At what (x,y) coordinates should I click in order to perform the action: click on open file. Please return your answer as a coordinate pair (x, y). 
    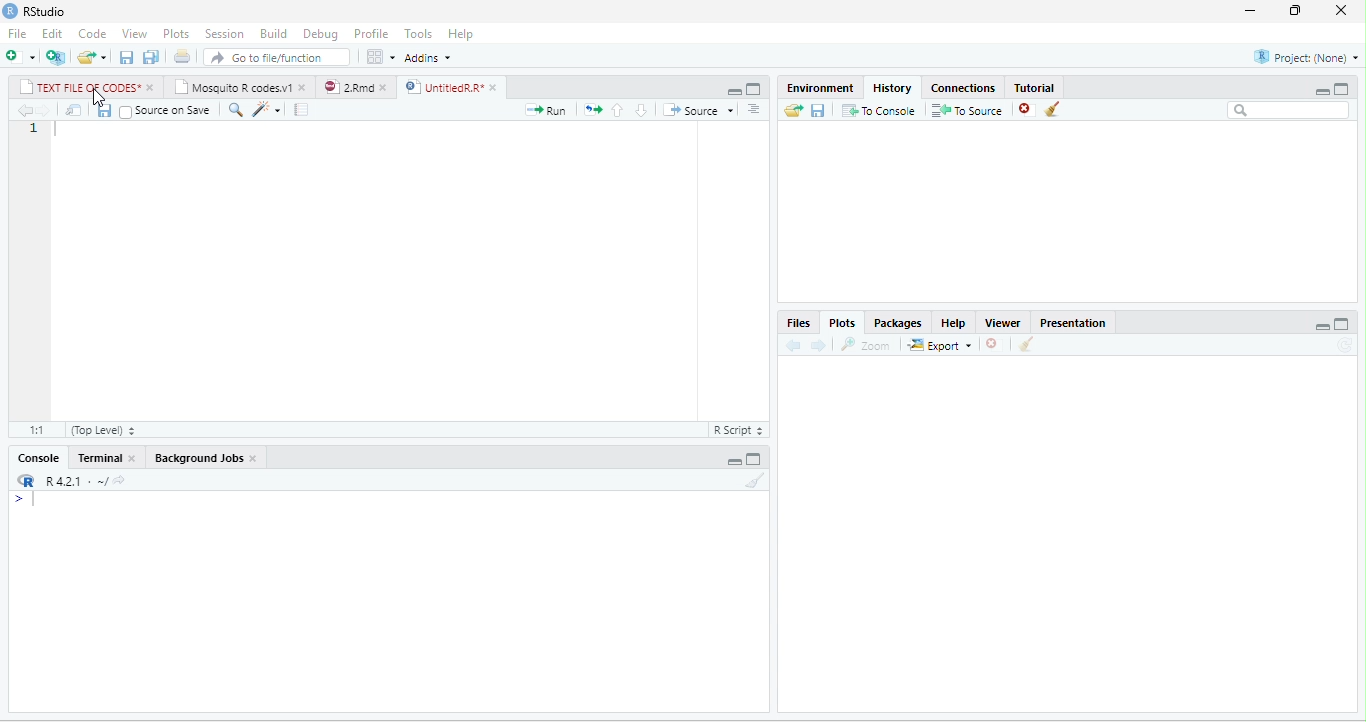
    Looking at the image, I should click on (92, 57).